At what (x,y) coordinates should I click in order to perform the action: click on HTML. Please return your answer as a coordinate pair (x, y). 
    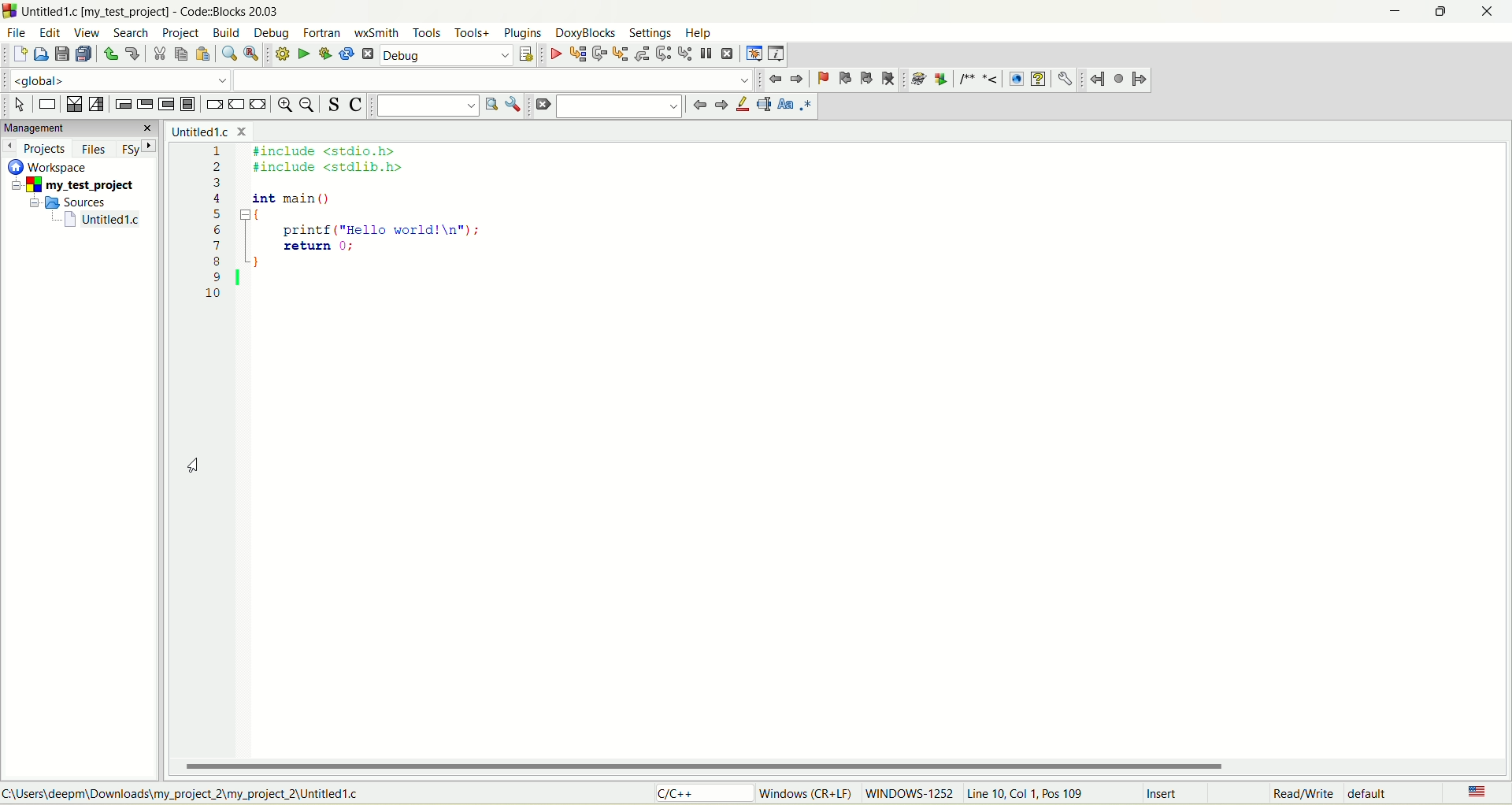
    Looking at the image, I should click on (1014, 78).